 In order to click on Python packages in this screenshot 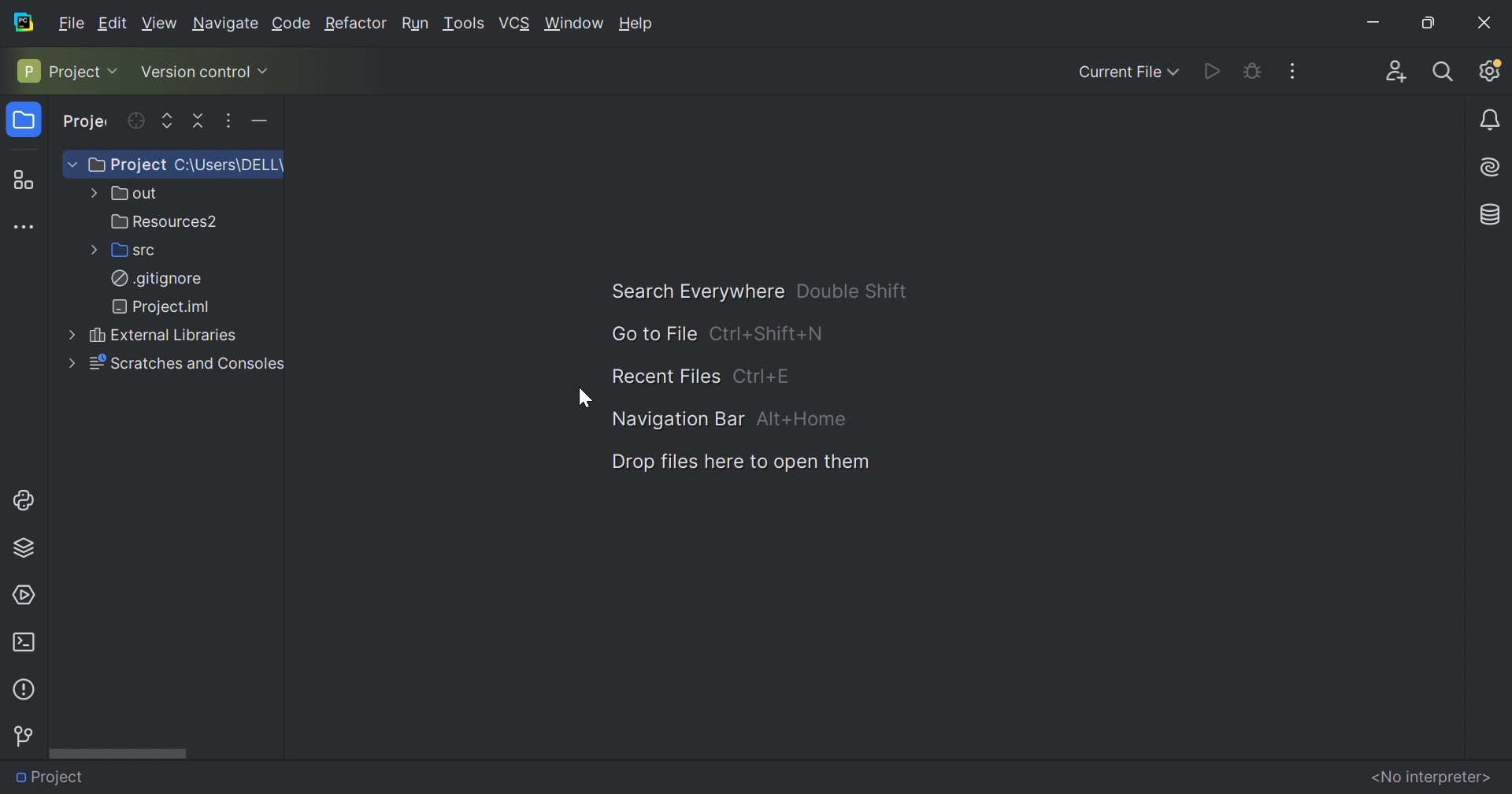, I will do `click(29, 546)`.